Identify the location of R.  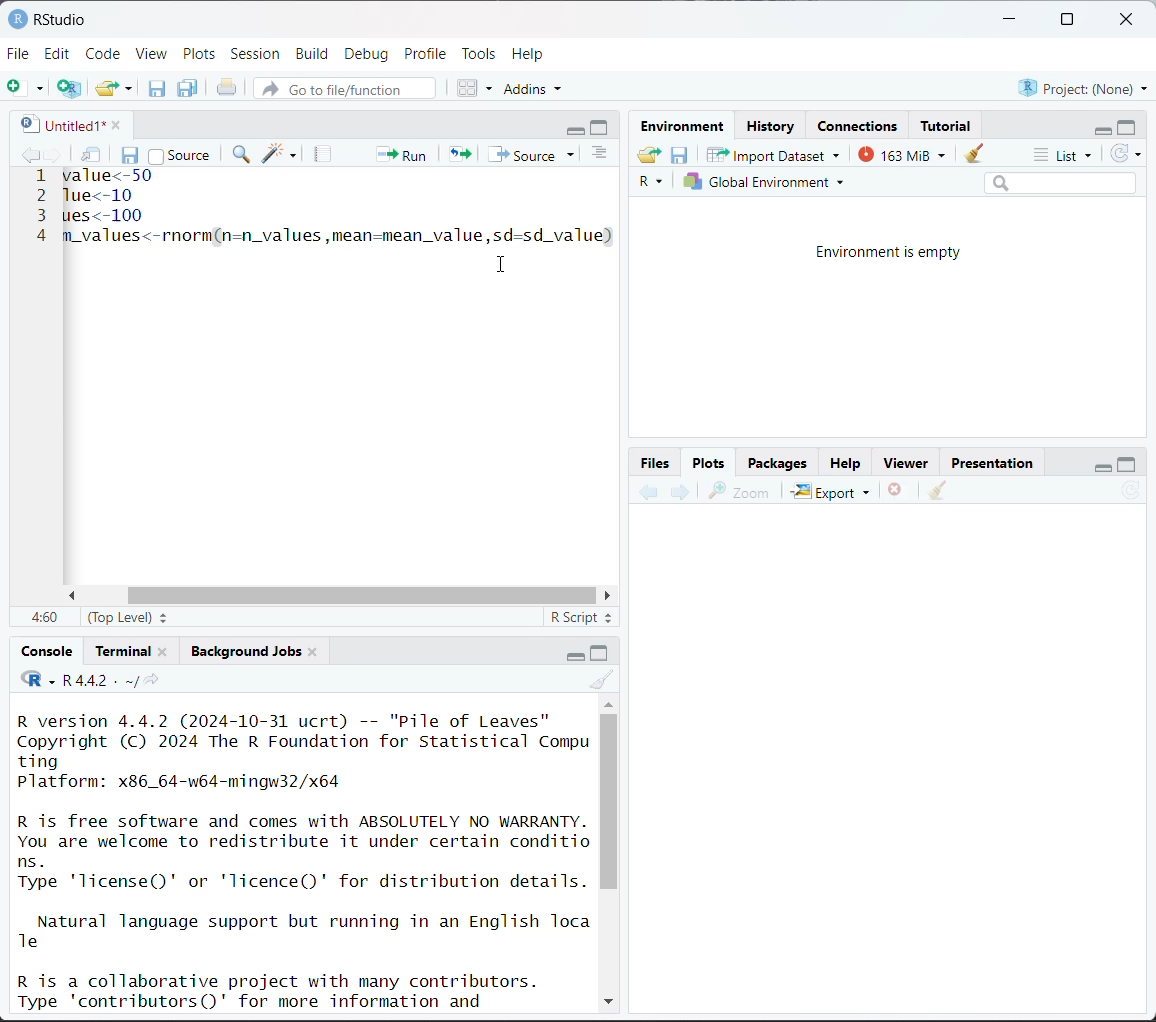
(654, 183).